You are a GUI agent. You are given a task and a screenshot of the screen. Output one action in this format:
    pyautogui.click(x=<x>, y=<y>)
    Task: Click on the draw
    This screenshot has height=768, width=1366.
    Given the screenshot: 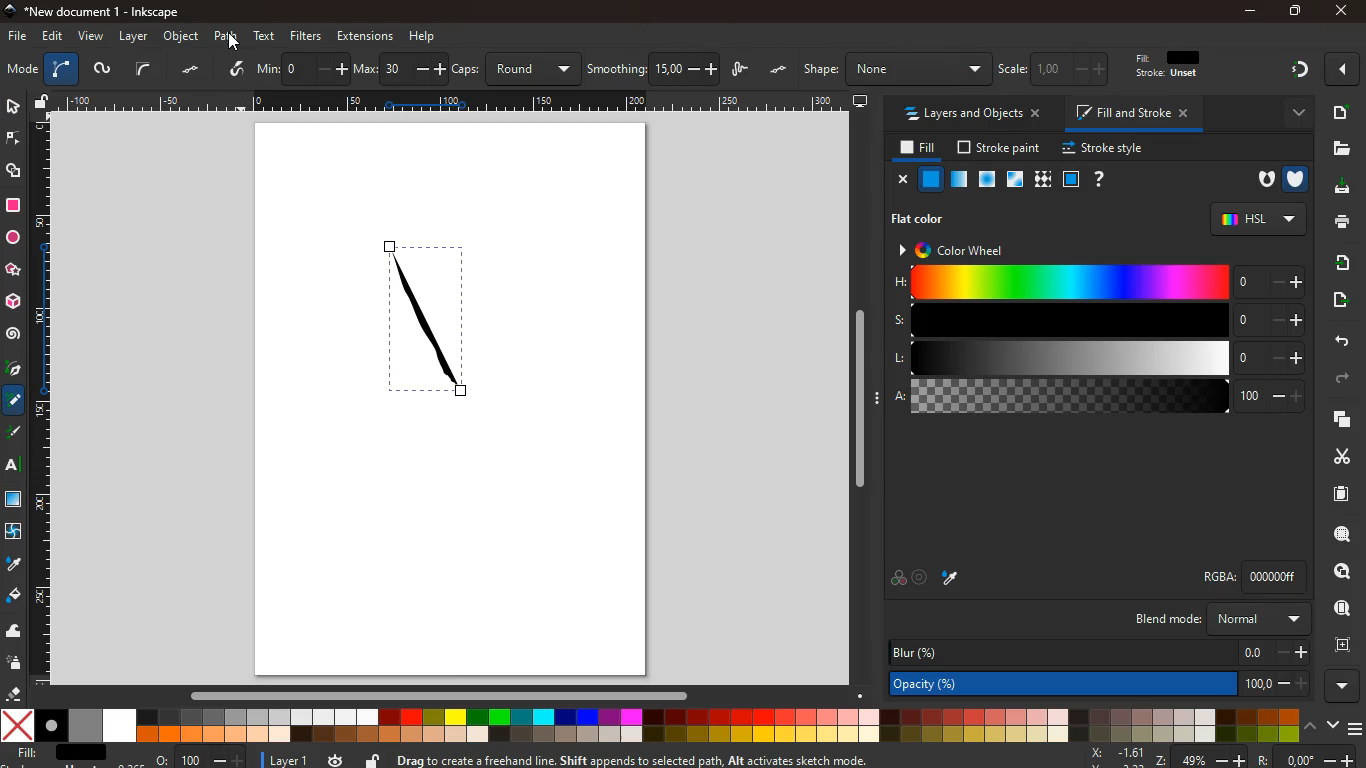 What is the action you would take?
    pyautogui.click(x=15, y=436)
    